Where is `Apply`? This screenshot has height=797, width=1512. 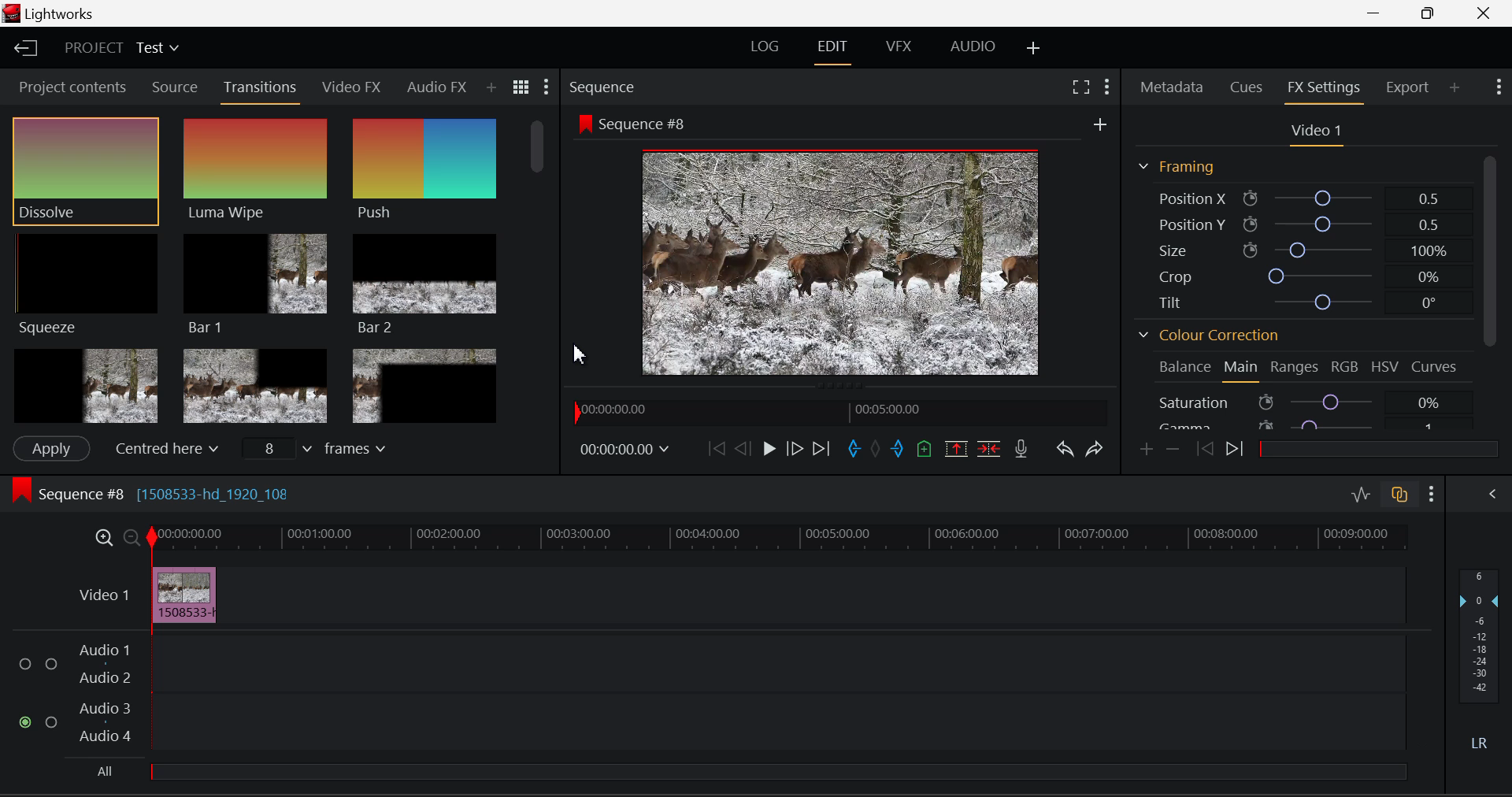 Apply is located at coordinates (51, 447).